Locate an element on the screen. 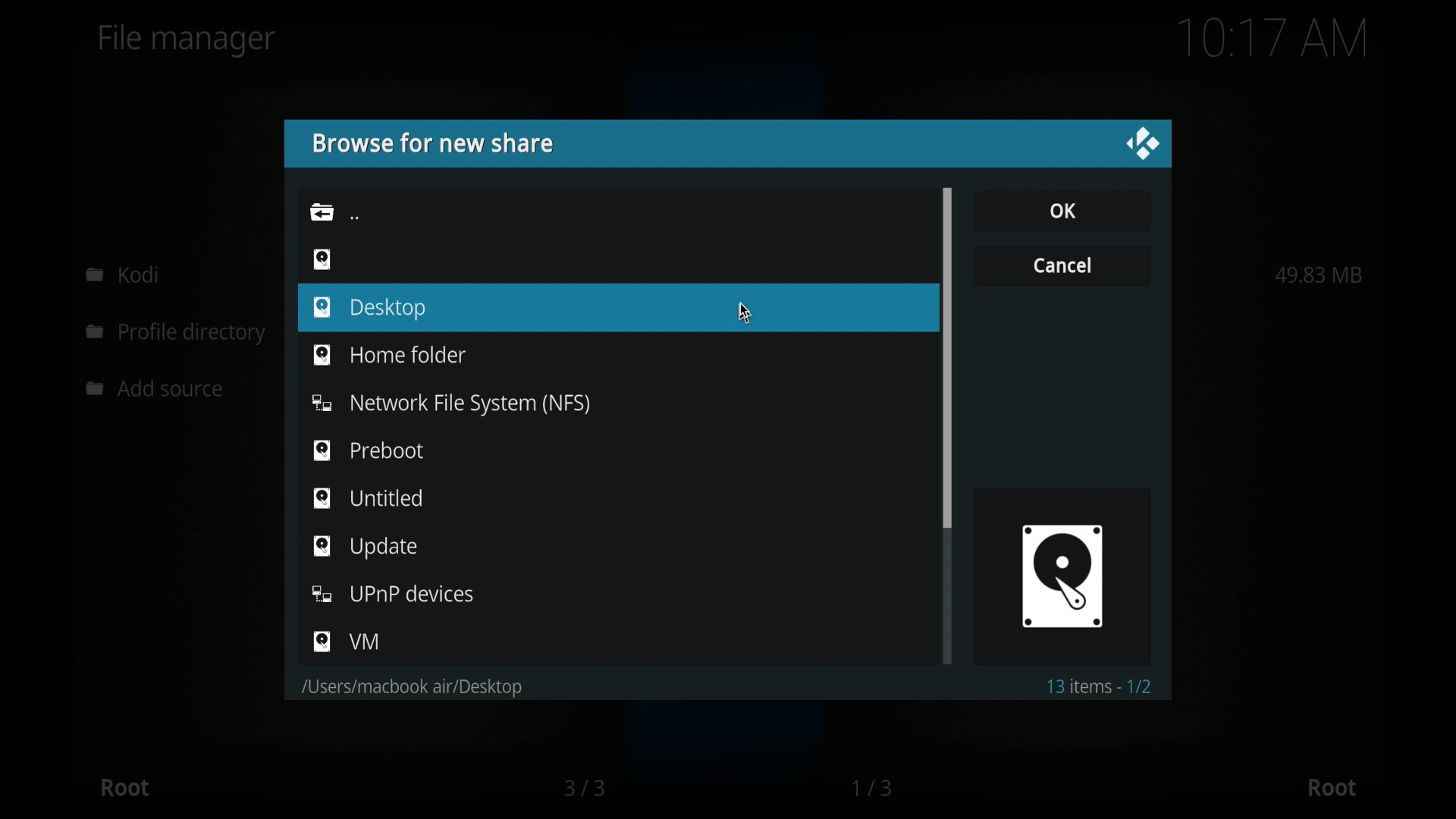  folder is located at coordinates (322, 212).